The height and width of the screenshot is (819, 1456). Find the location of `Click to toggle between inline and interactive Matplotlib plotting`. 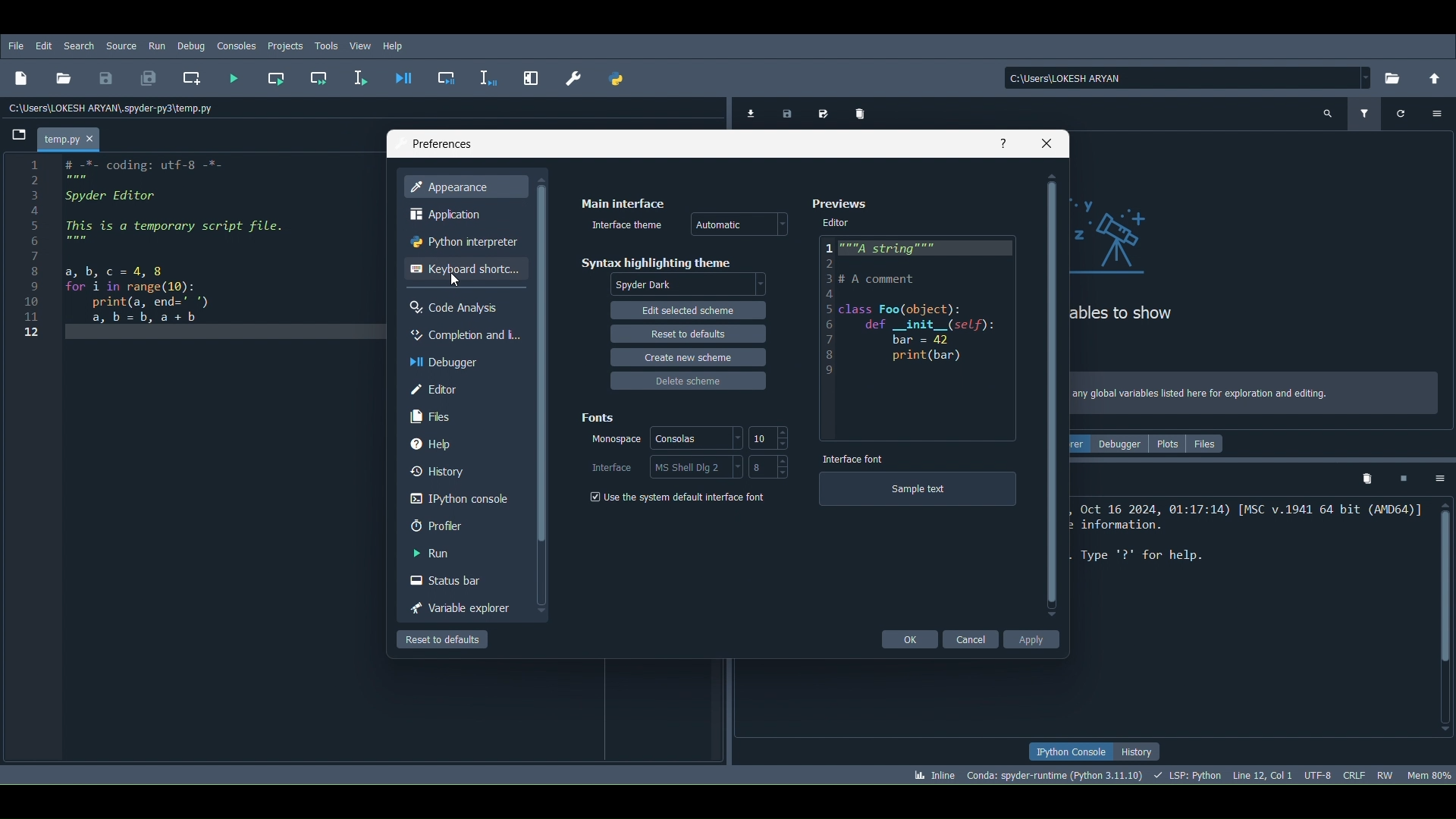

Click to toggle between inline and interactive Matplotlib plotting is located at coordinates (931, 772).